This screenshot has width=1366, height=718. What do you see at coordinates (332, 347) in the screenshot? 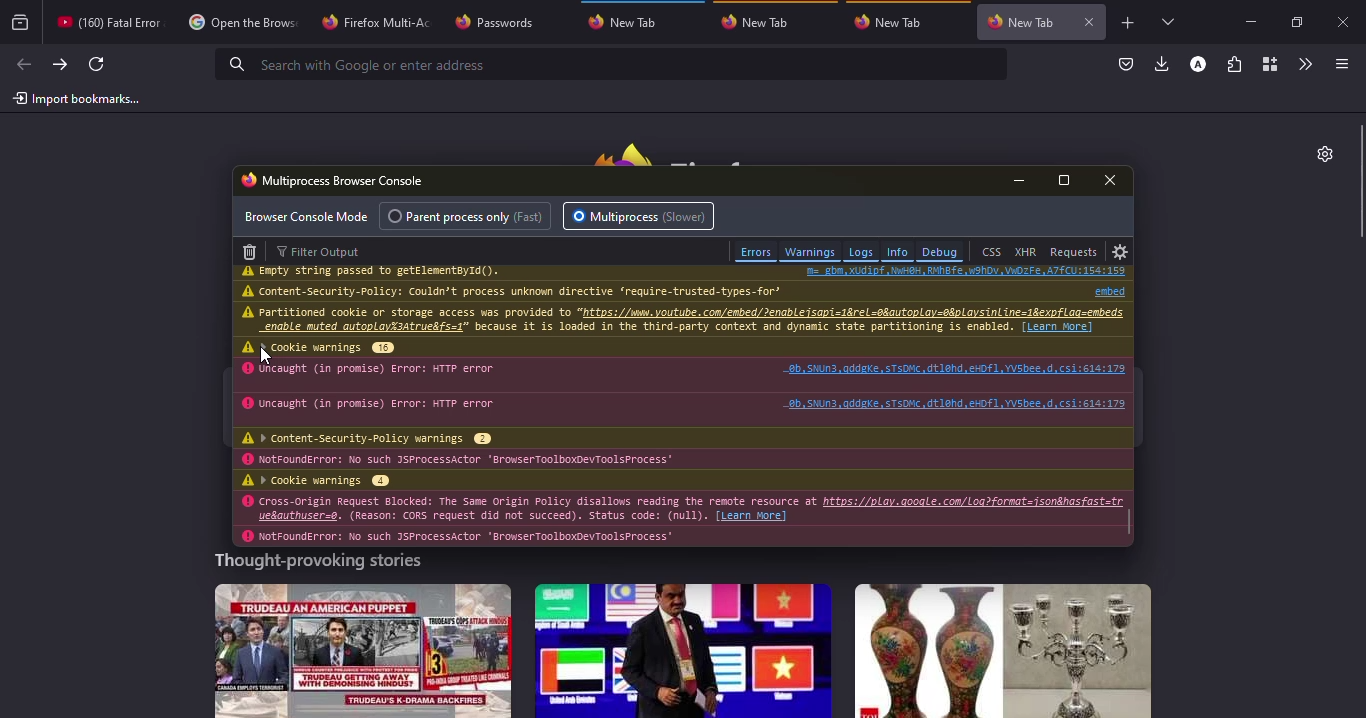
I see `expand warnings` at bounding box center [332, 347].